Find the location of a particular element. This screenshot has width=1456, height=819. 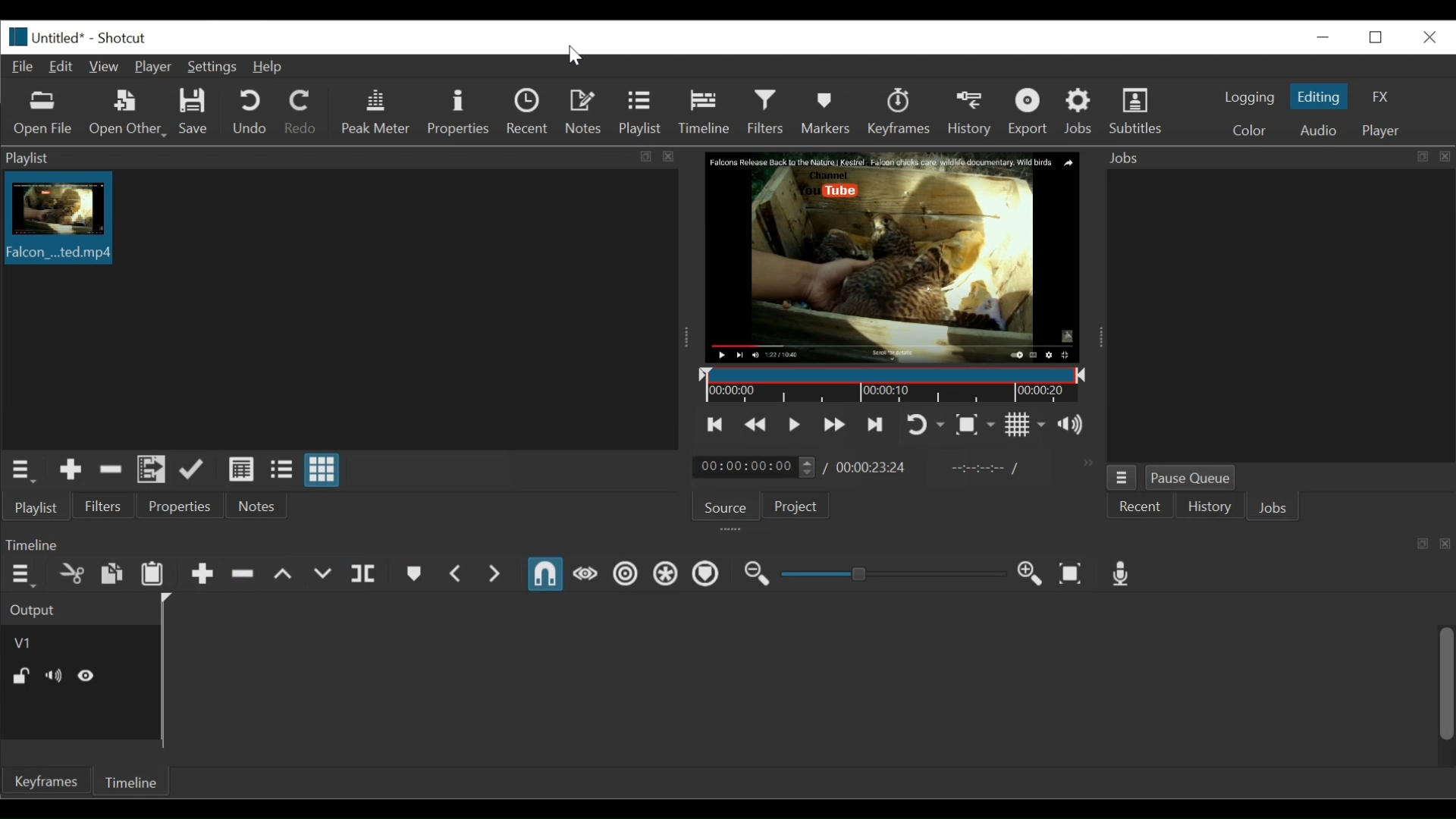

Jobs Panel is located at coordinates (1279, 159).